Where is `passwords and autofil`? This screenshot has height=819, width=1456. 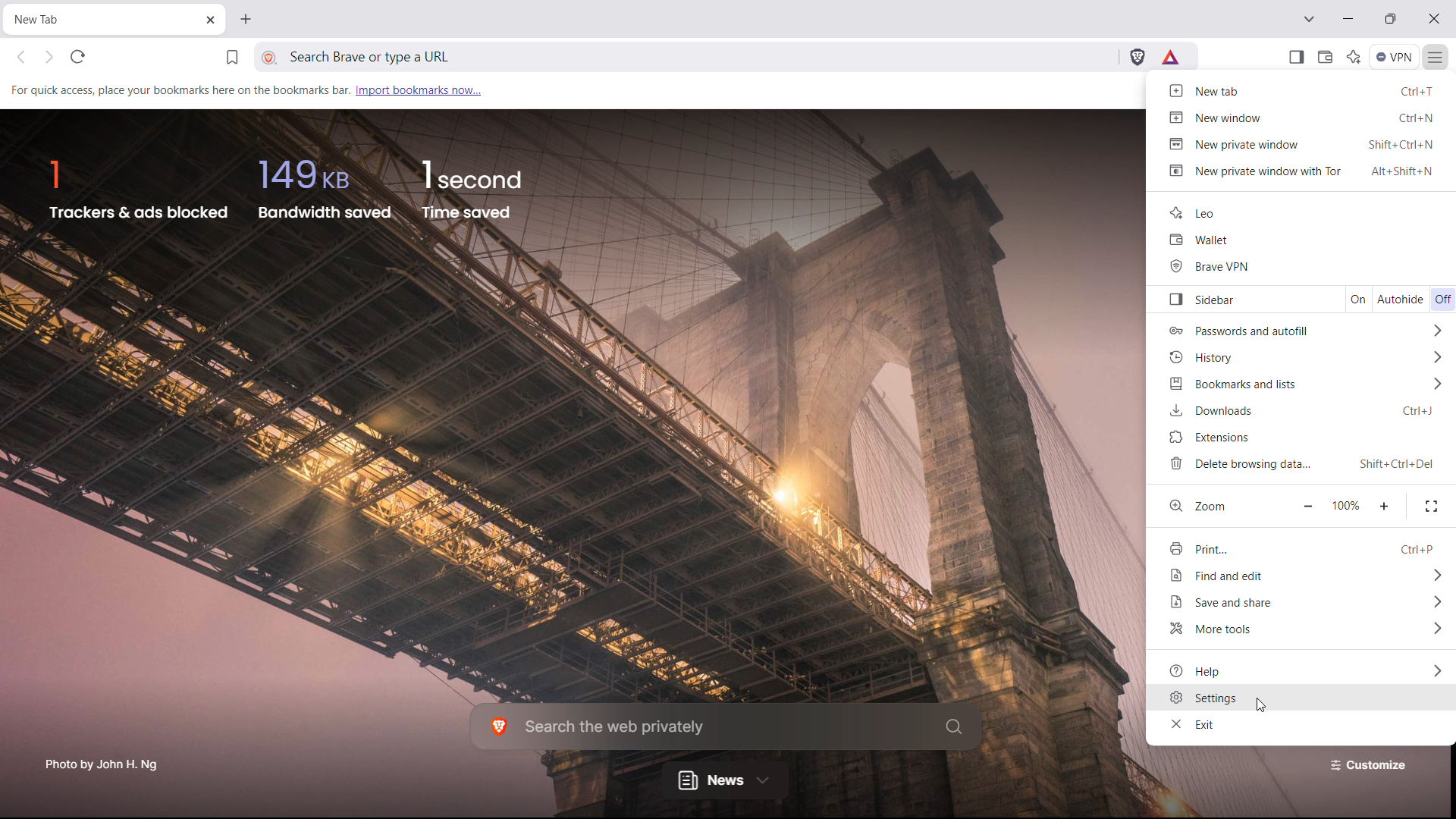
passwords and autofil is located at coordinates (1303, 329).